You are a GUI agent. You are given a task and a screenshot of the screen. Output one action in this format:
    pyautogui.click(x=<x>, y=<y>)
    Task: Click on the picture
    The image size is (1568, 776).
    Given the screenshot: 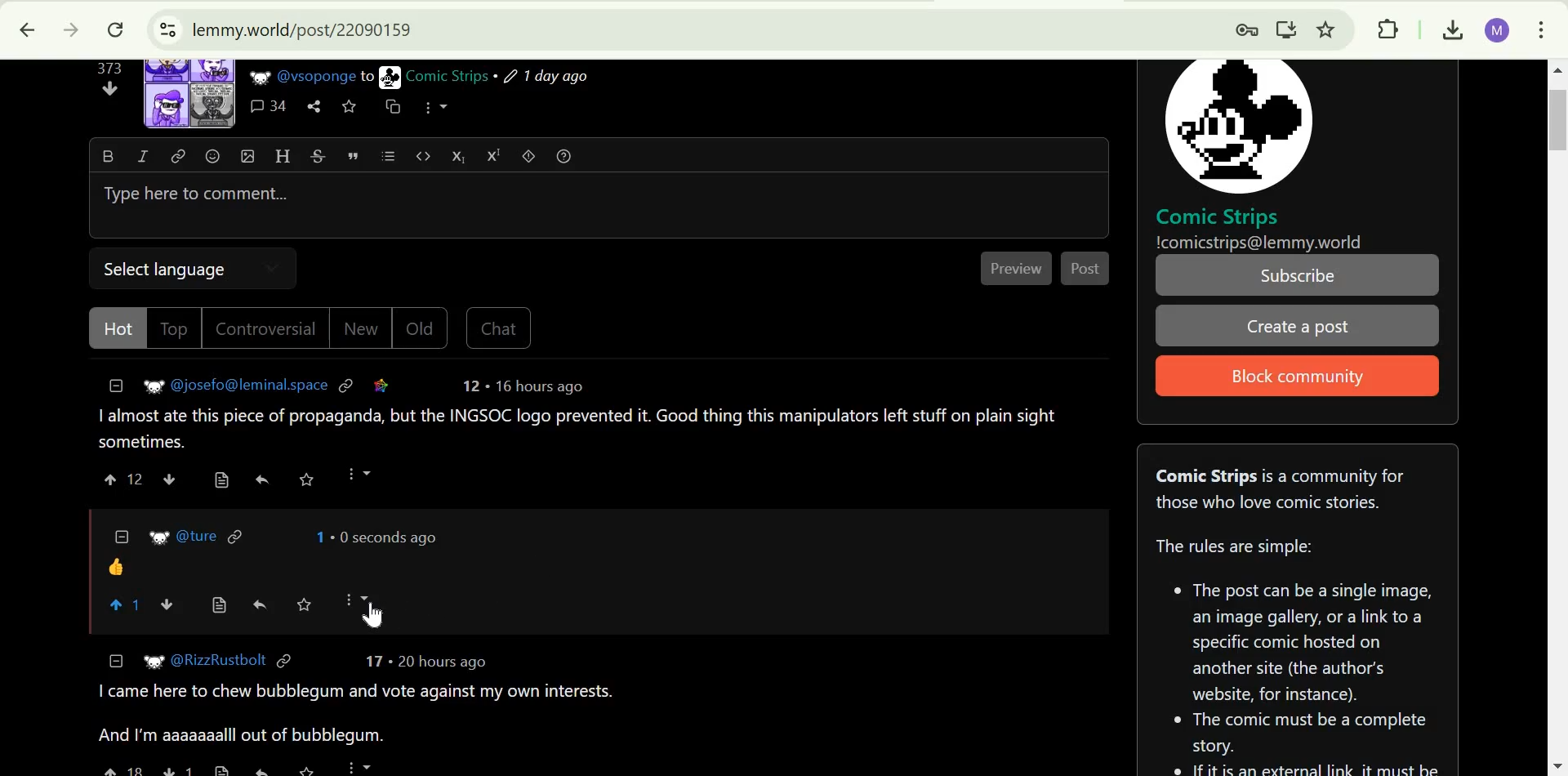 What is the action you would take?
    pyautogui.click(x=150, y=662)
    